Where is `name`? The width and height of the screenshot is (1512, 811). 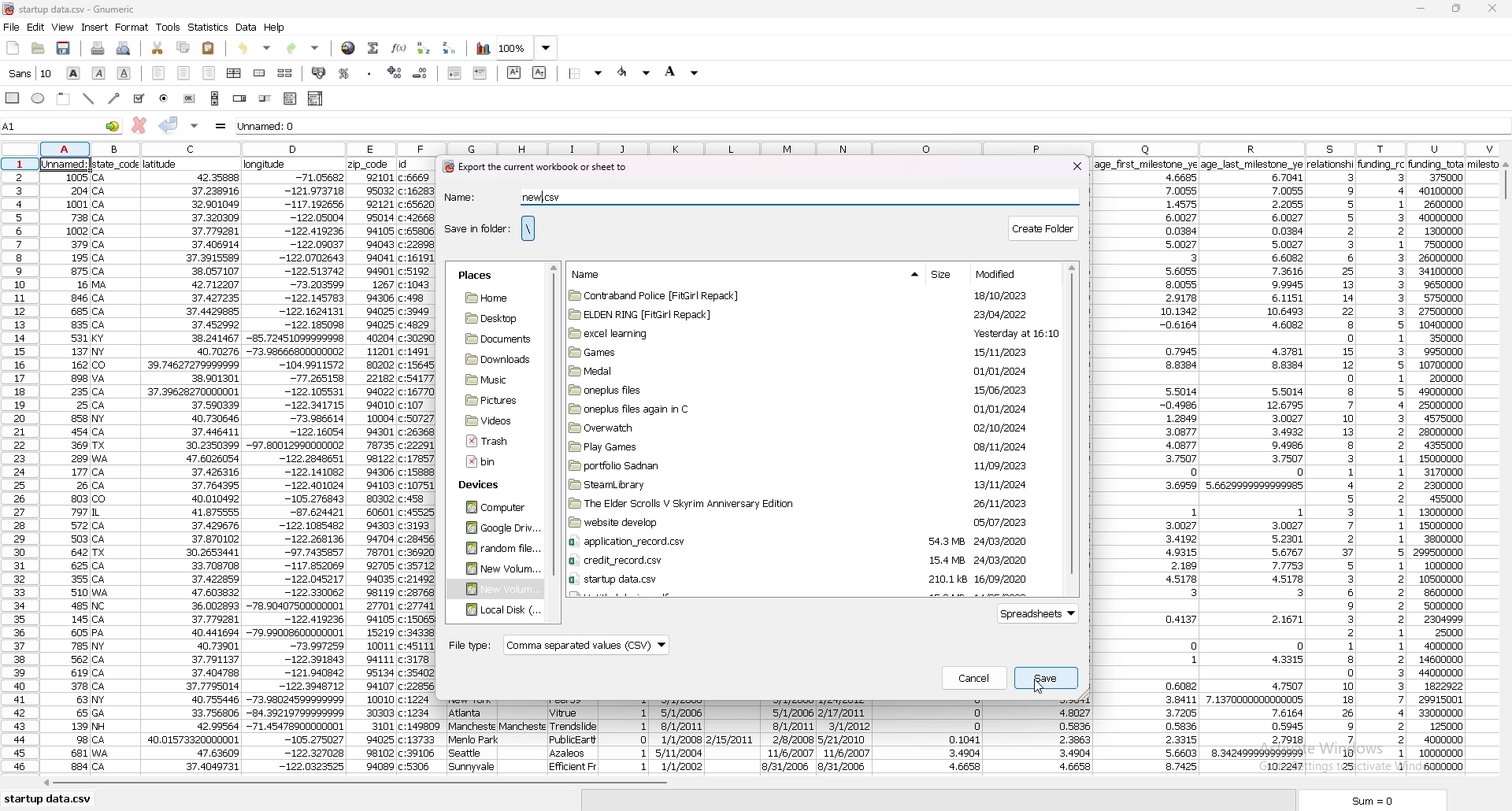
name is located at coordinates (595, 274).